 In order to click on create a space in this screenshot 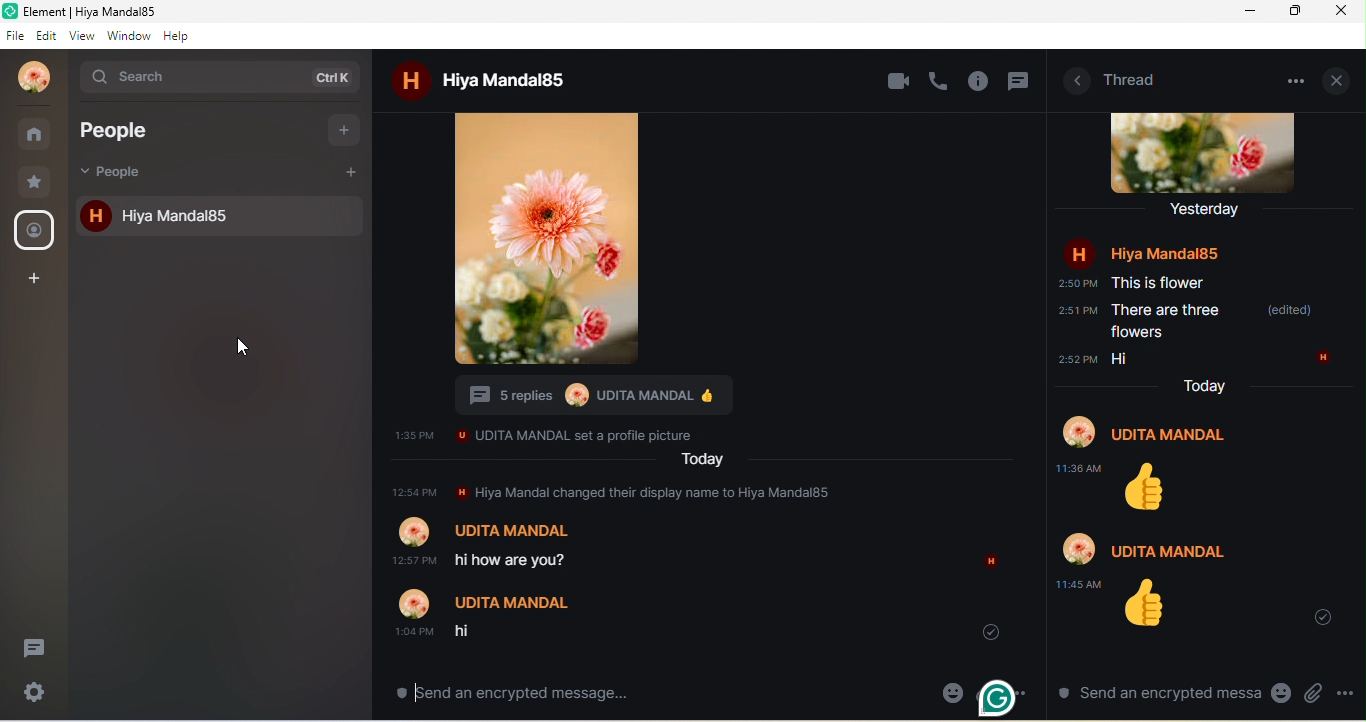, I will do `click(35, 279)`.